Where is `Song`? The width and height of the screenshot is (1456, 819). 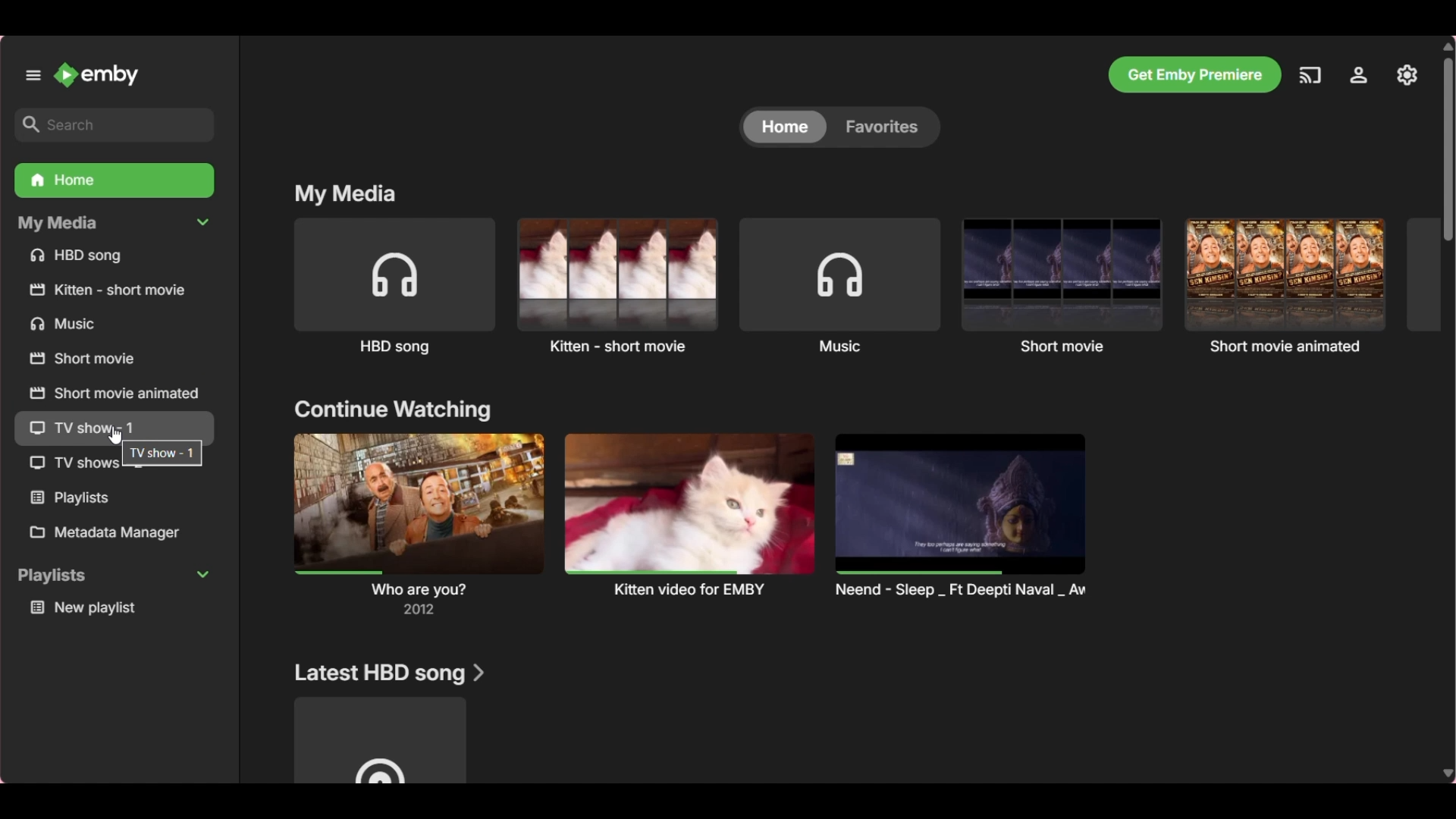
Song is located at coordinates (394, 287).